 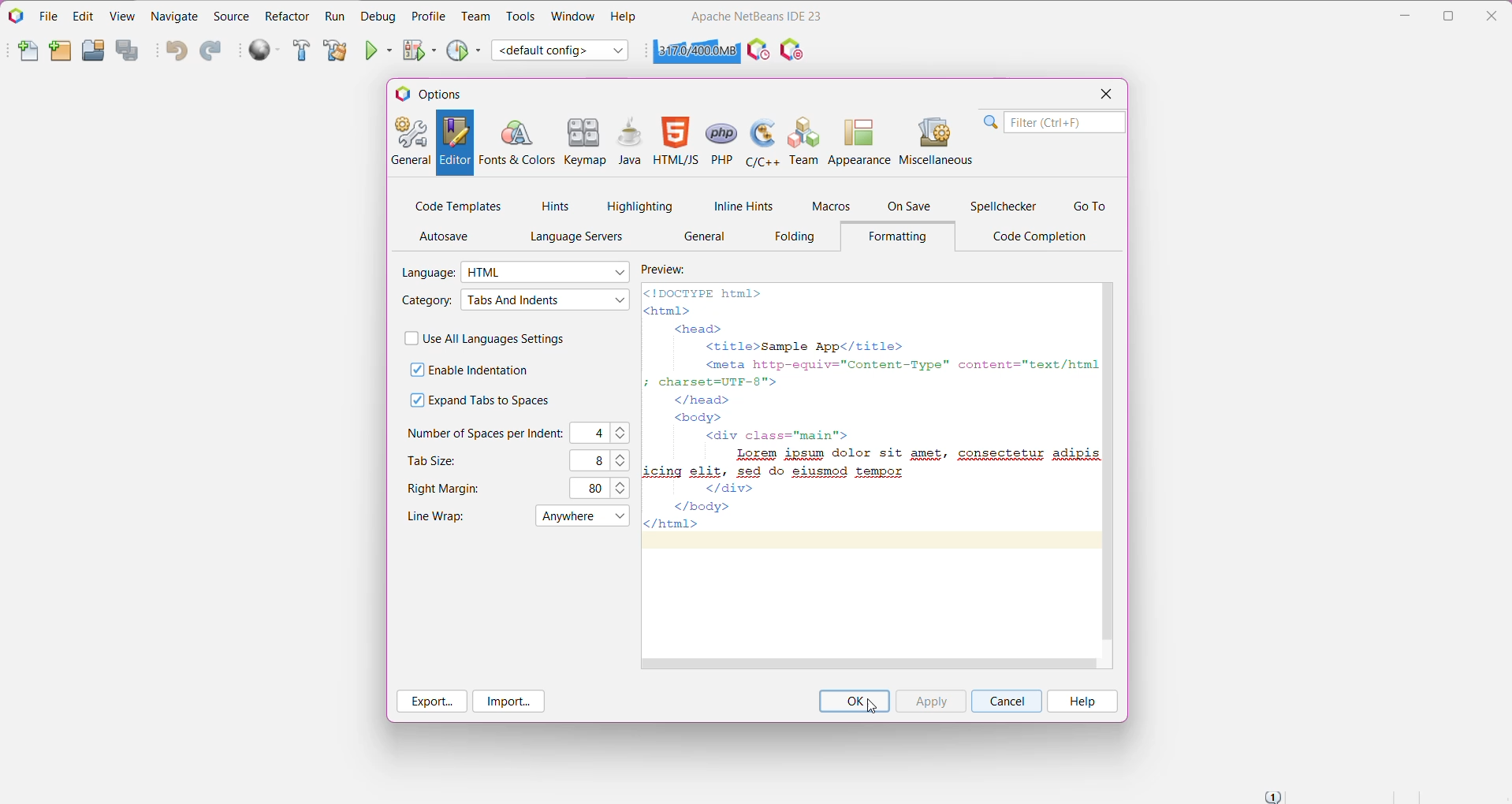 What do you see at coordinates (1451, 16) in the screenshot?
I see `Restore Down` at bounding box center [1451, 16].